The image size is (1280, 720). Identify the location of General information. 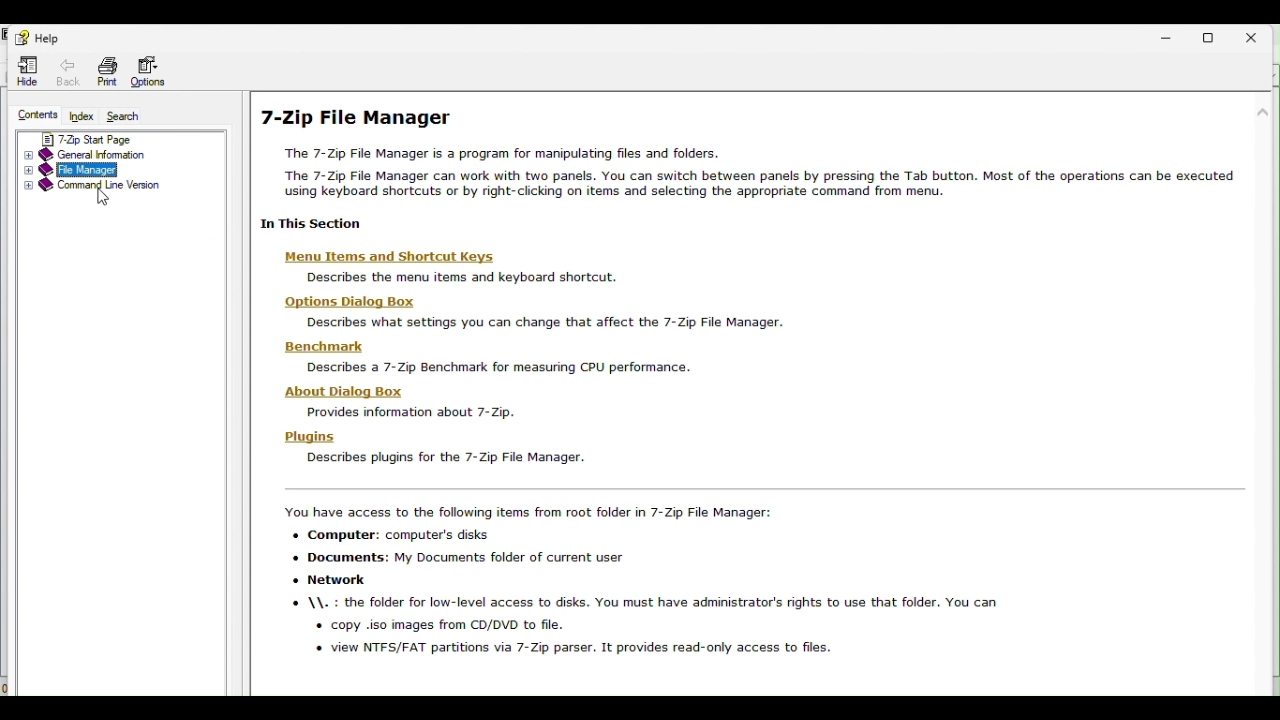
(100, 155).